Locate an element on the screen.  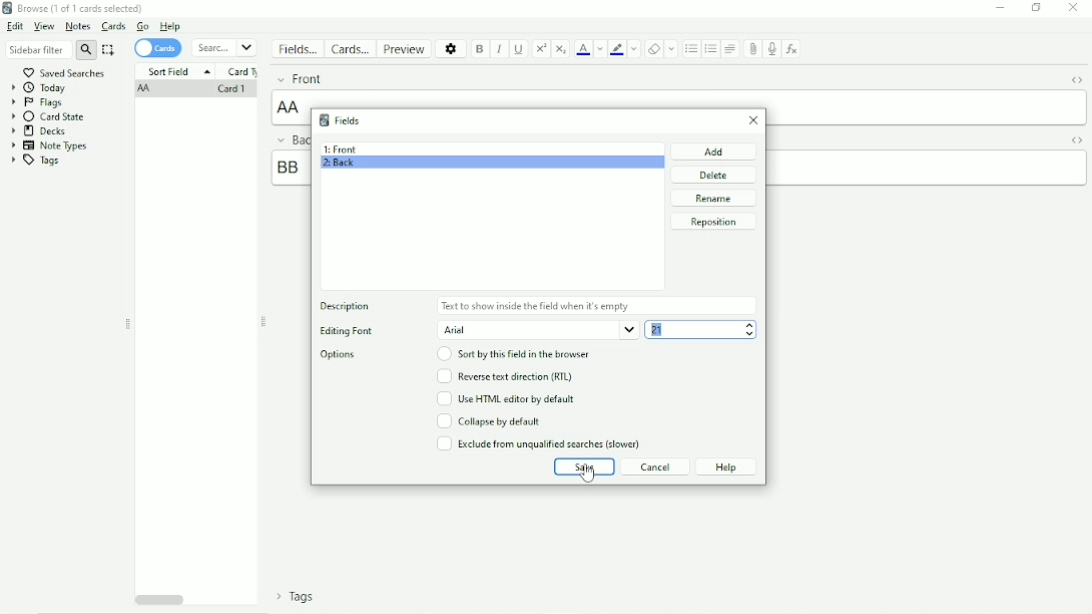
Minimize is located at coordinates (1000, 8).